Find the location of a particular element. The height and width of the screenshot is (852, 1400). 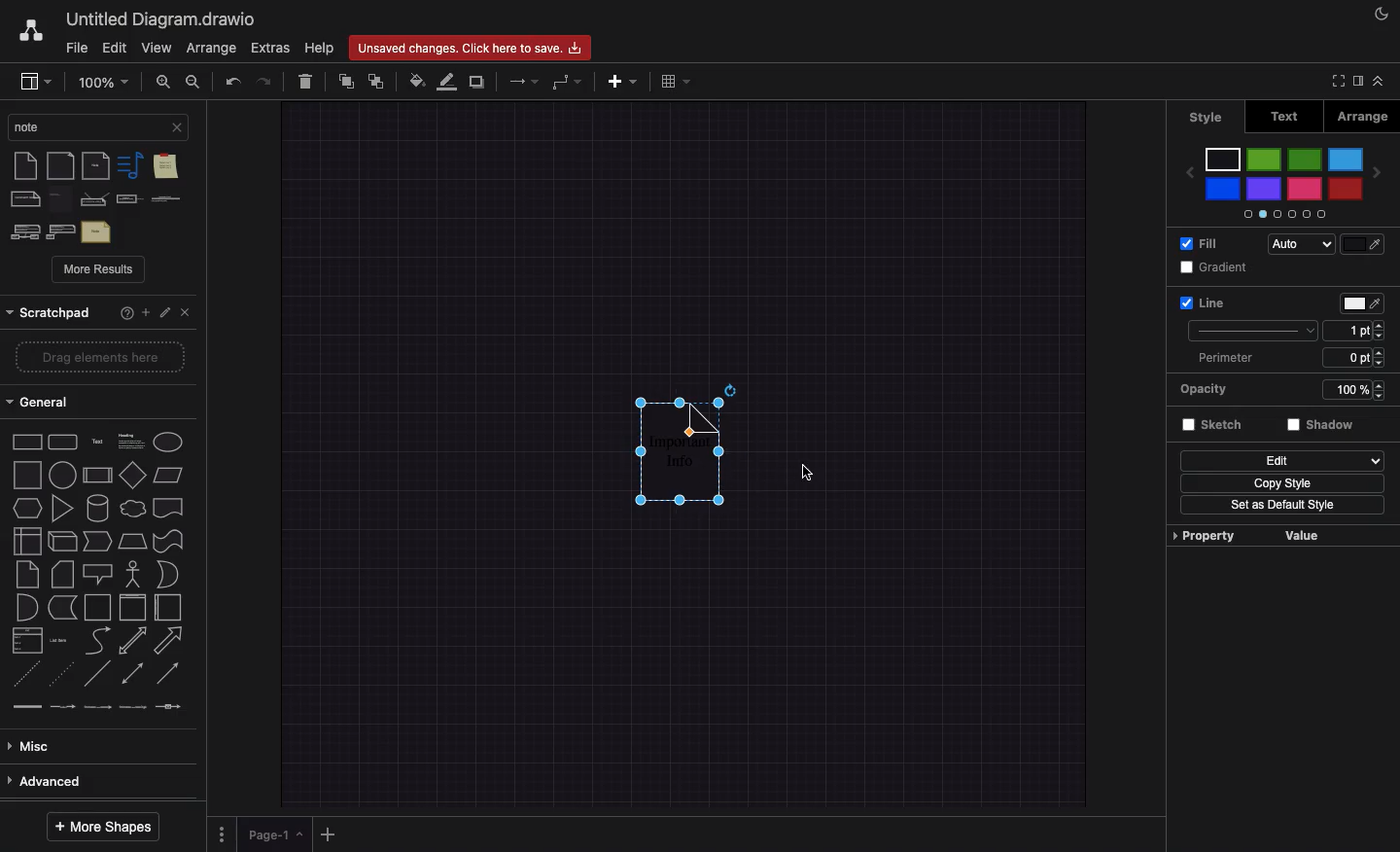

decrease line width is located at coordinates (1381, 337).